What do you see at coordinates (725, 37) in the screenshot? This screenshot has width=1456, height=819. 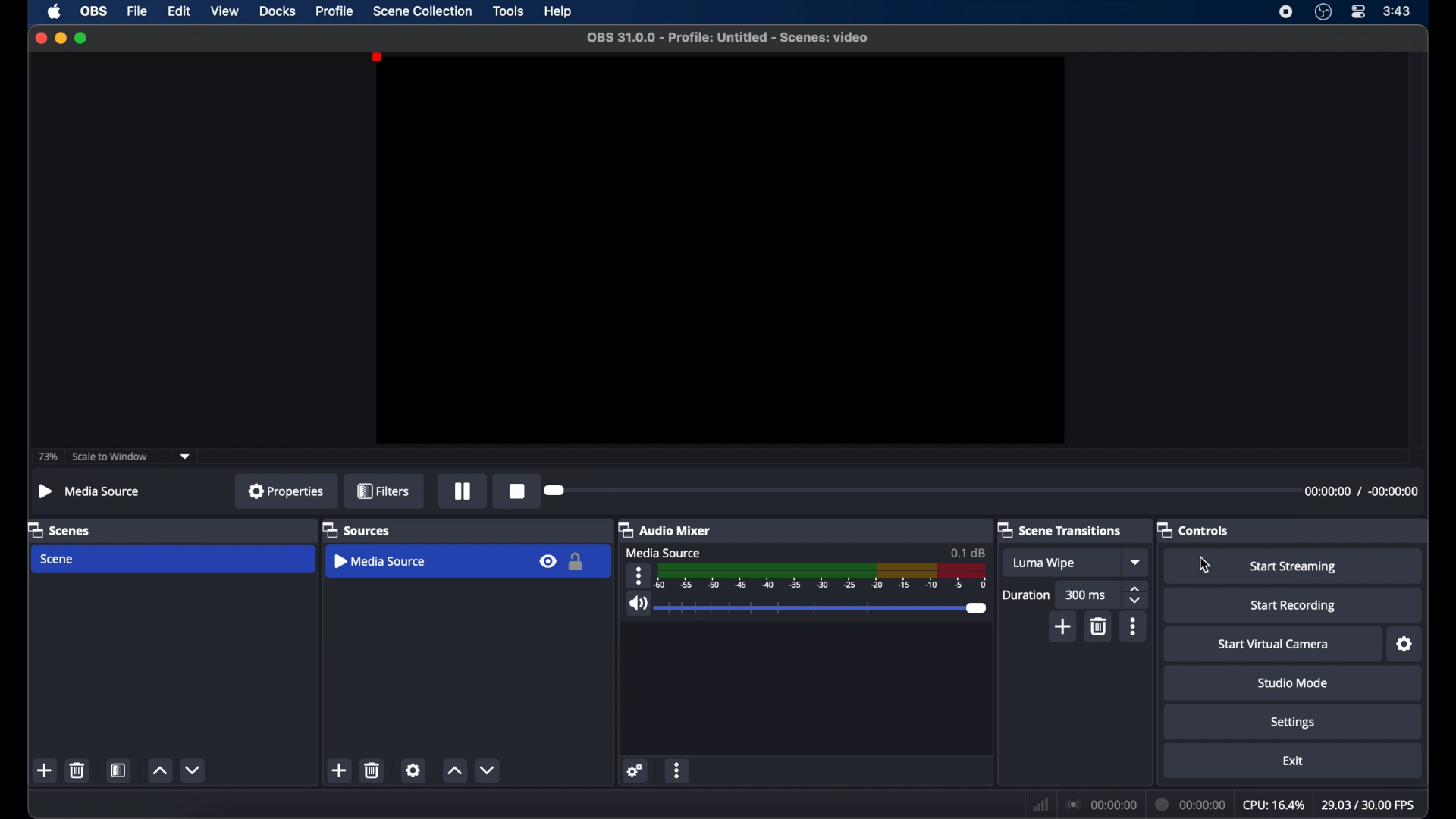 I see `OBS 31.0.0 - Profile: Untitled - Scenes: video` at bounding box center [725, 37].